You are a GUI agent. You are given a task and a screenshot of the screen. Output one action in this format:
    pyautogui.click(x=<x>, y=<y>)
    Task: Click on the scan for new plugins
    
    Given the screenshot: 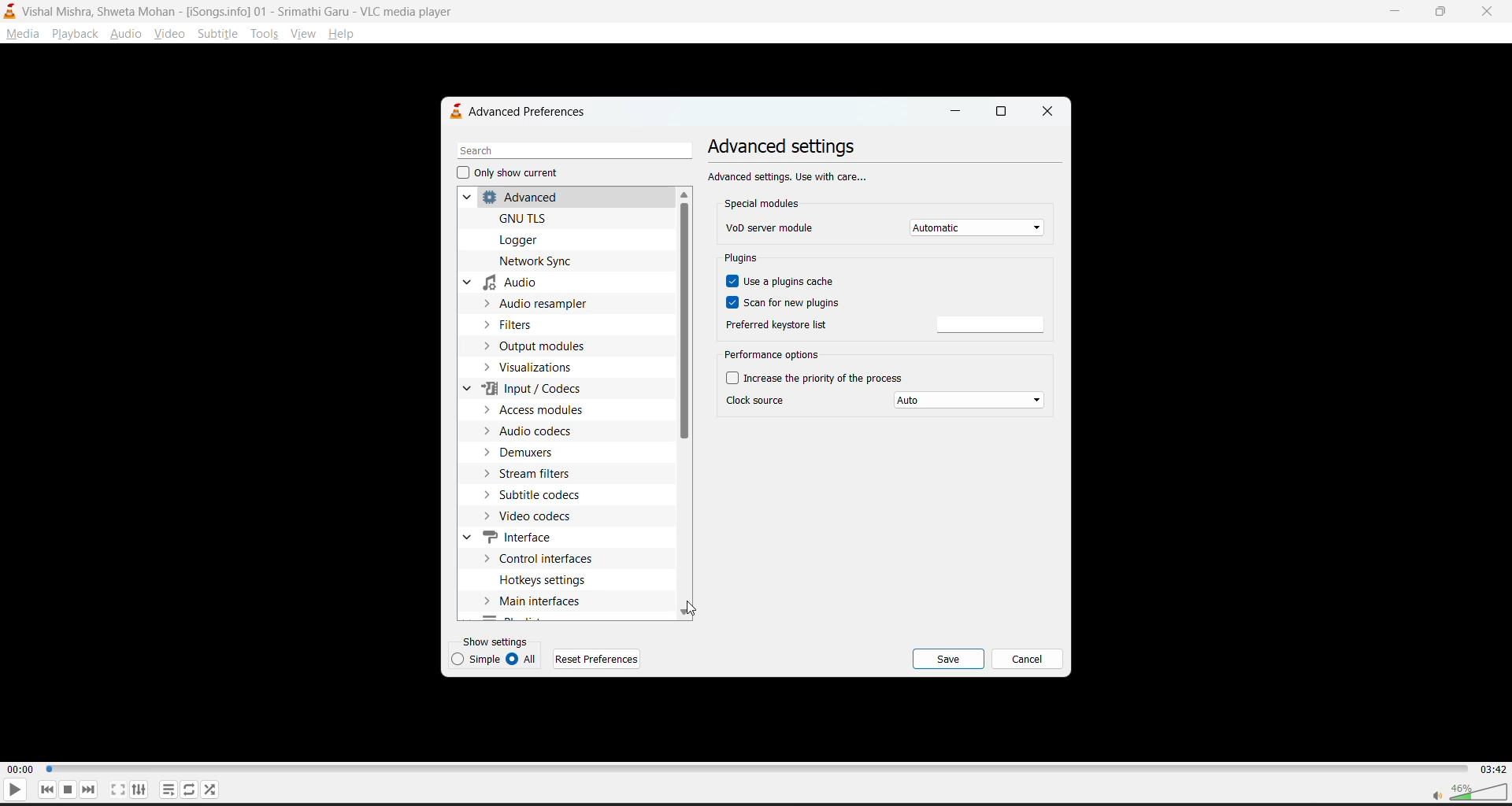 What is the action you would take?
    pyautogui.click(x=787, y=302)
    